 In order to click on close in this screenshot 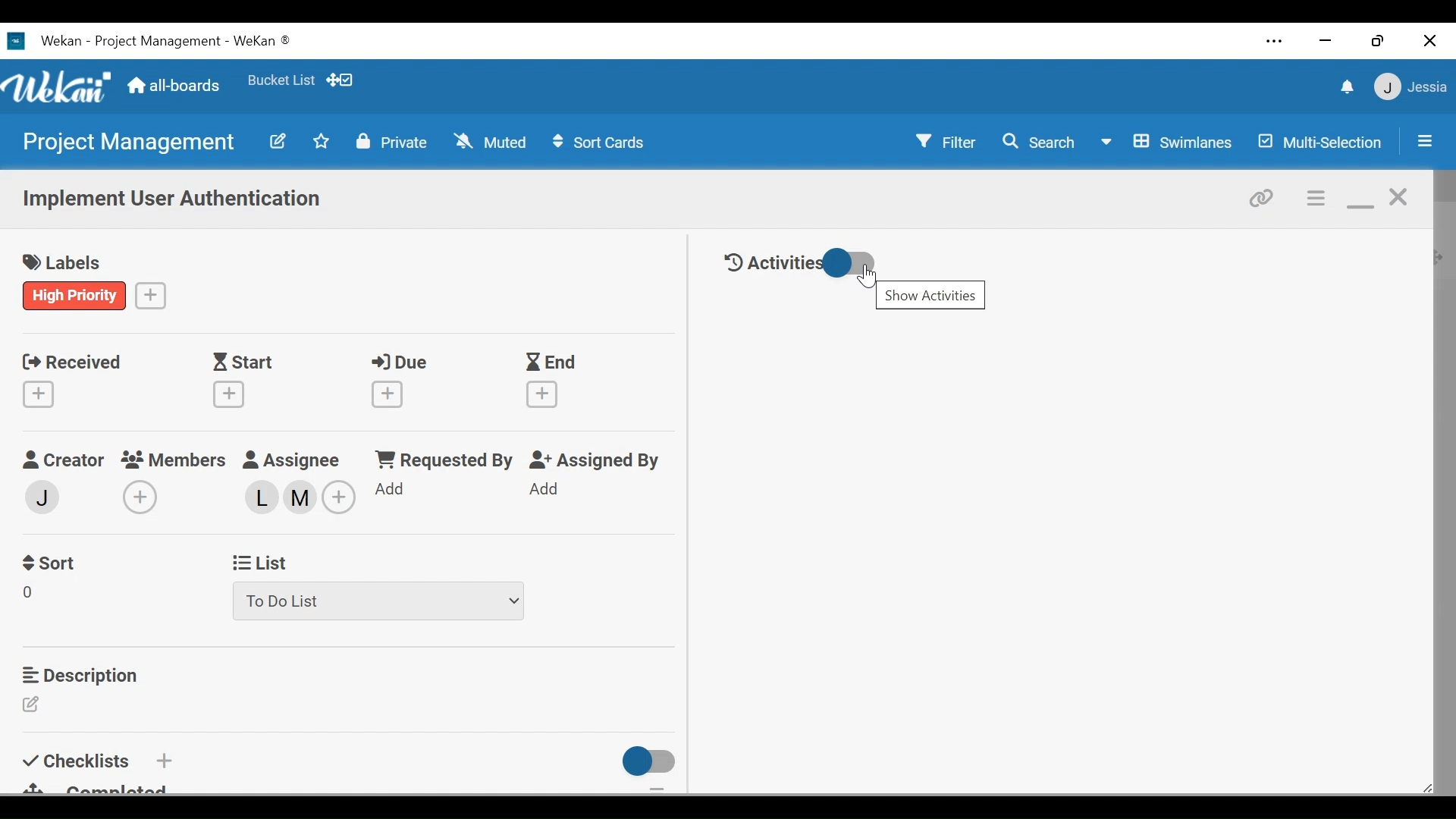, I will do `click(1429, 42)`.